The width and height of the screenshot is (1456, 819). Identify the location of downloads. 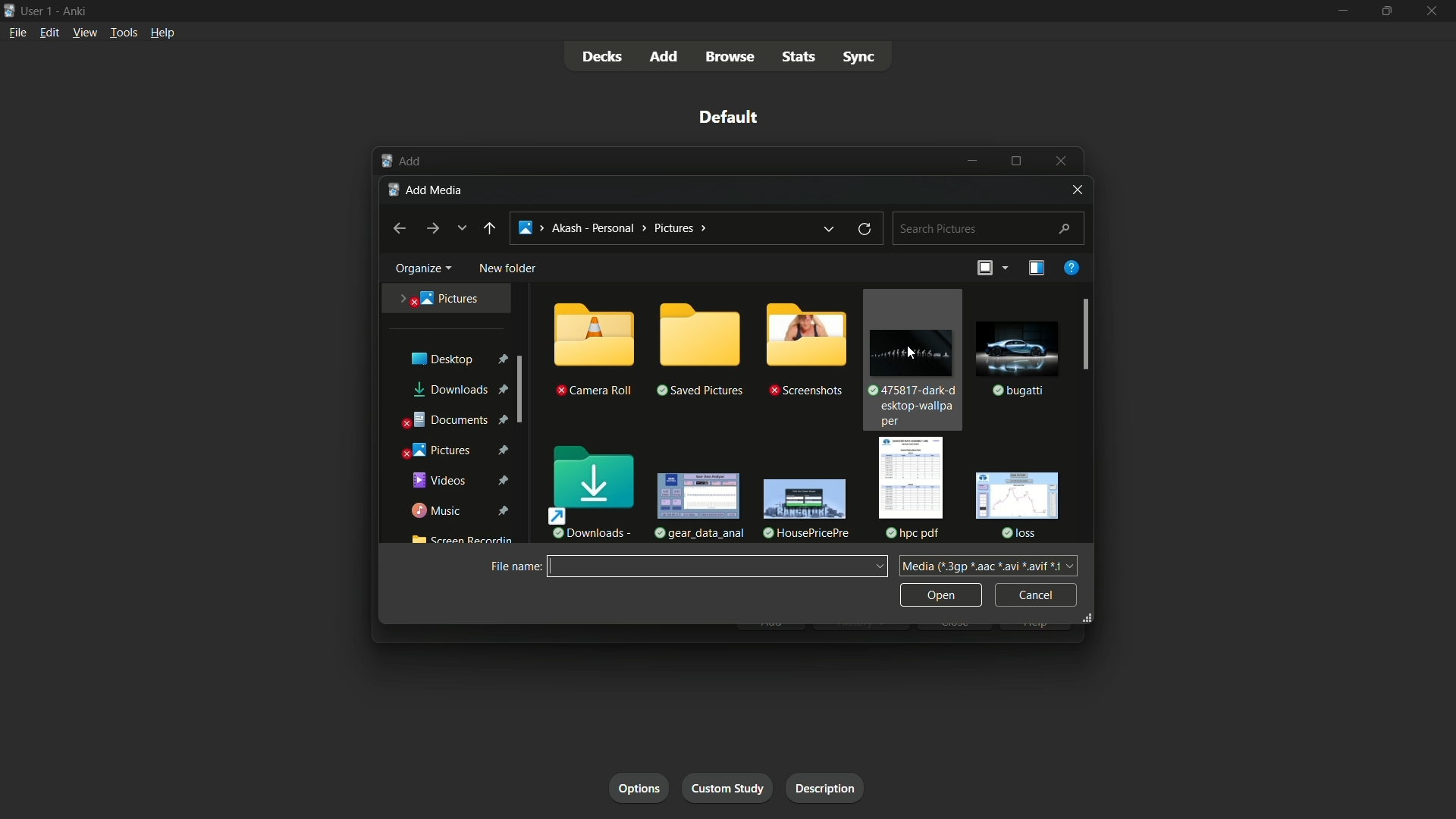
(593, 489).